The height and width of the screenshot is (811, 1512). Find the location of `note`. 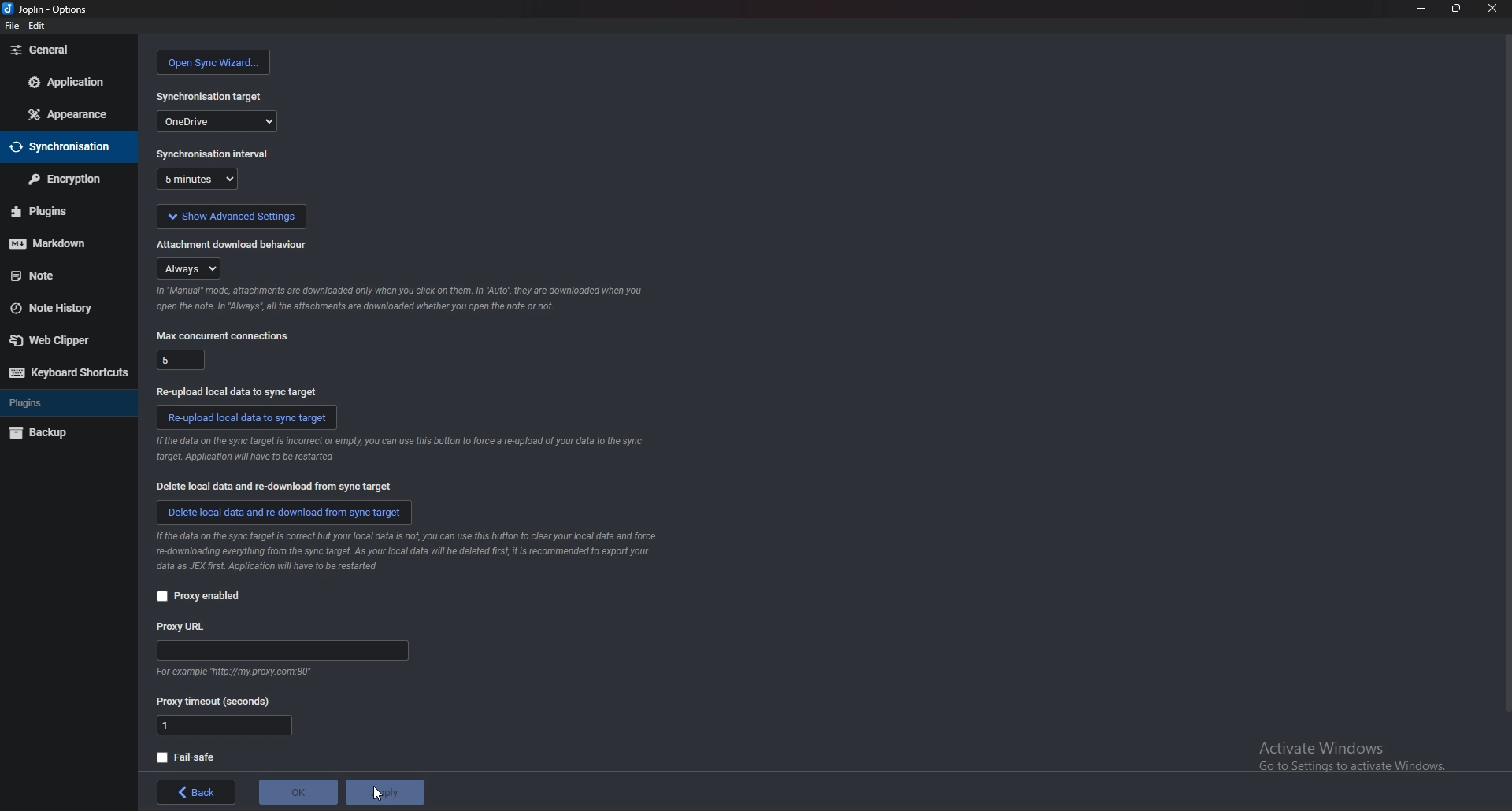

note is located at coordinates (61, 276).